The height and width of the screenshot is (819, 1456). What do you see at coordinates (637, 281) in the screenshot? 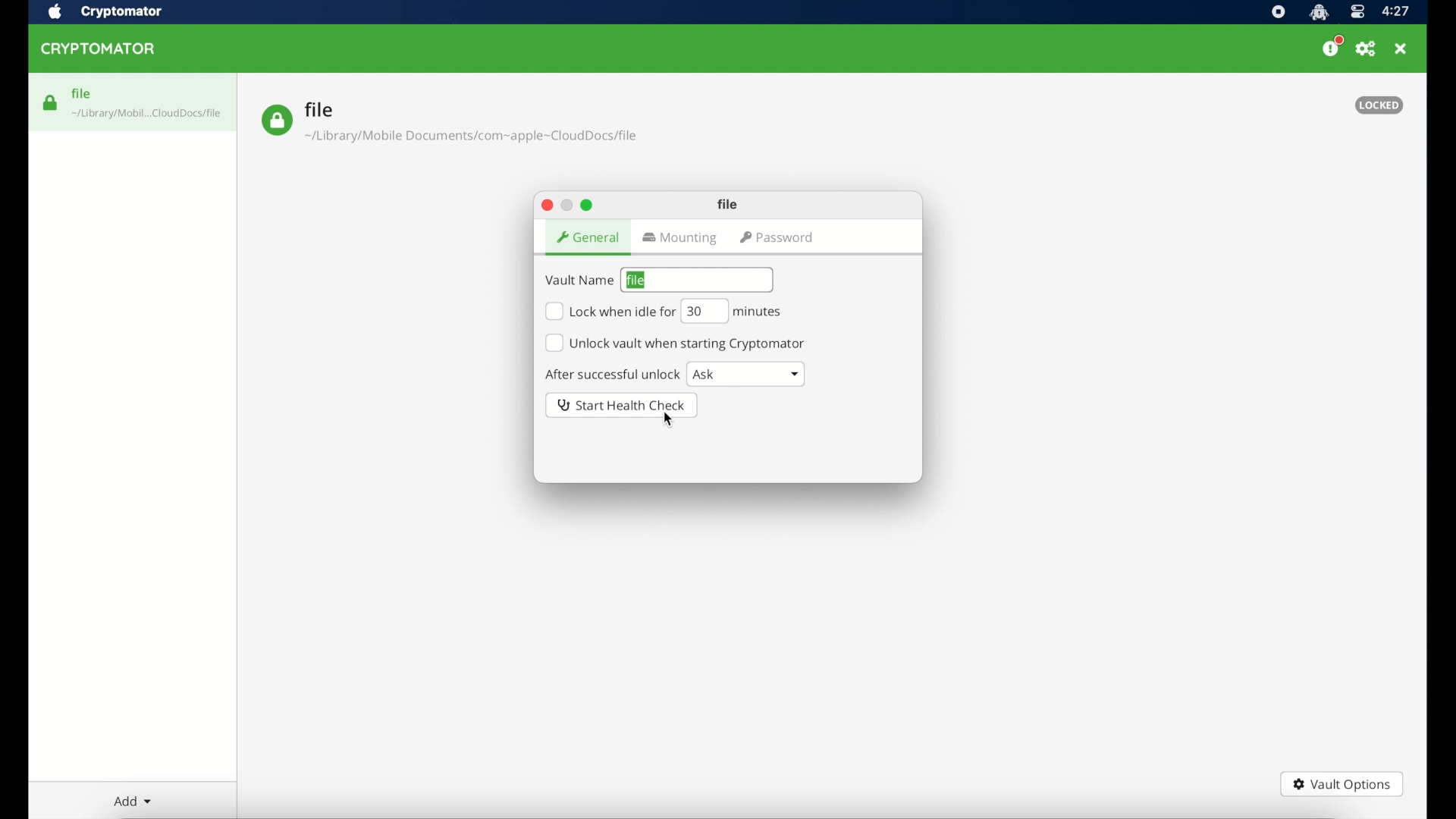
I see `file` at bounding box center [637, 281].